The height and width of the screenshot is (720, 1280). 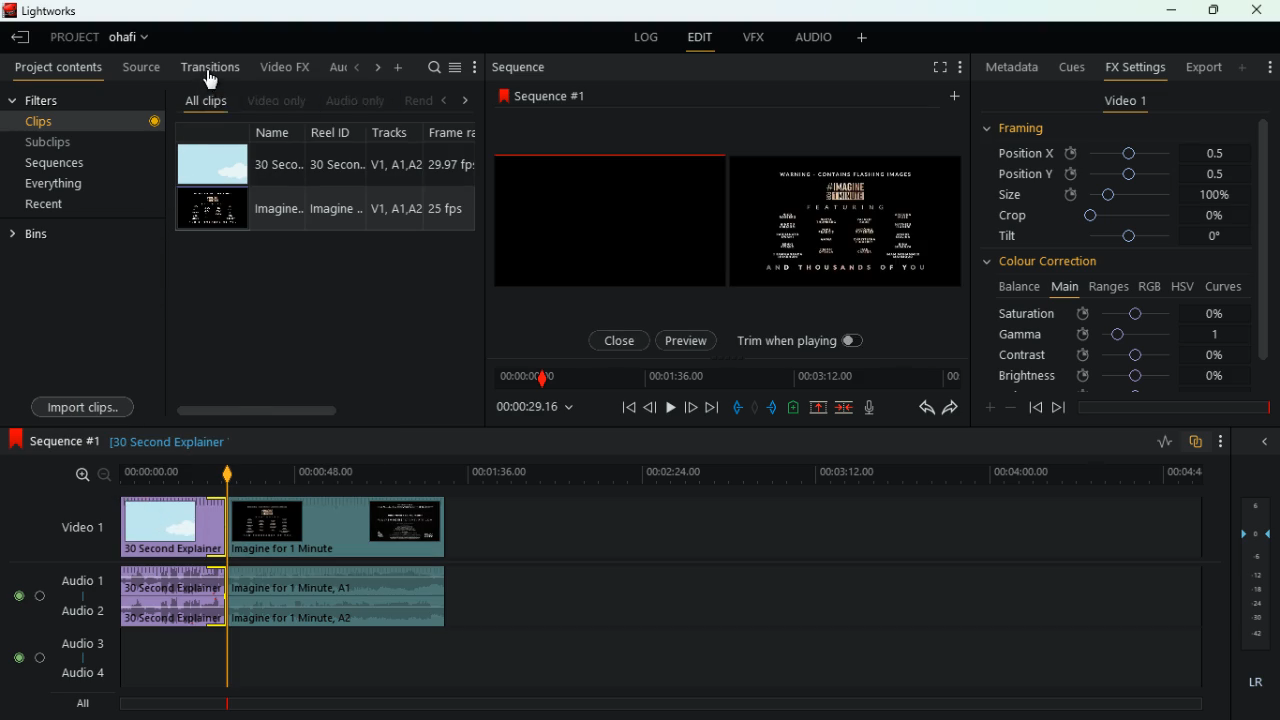 I want to click on minus, so click(x=1014, y=408).